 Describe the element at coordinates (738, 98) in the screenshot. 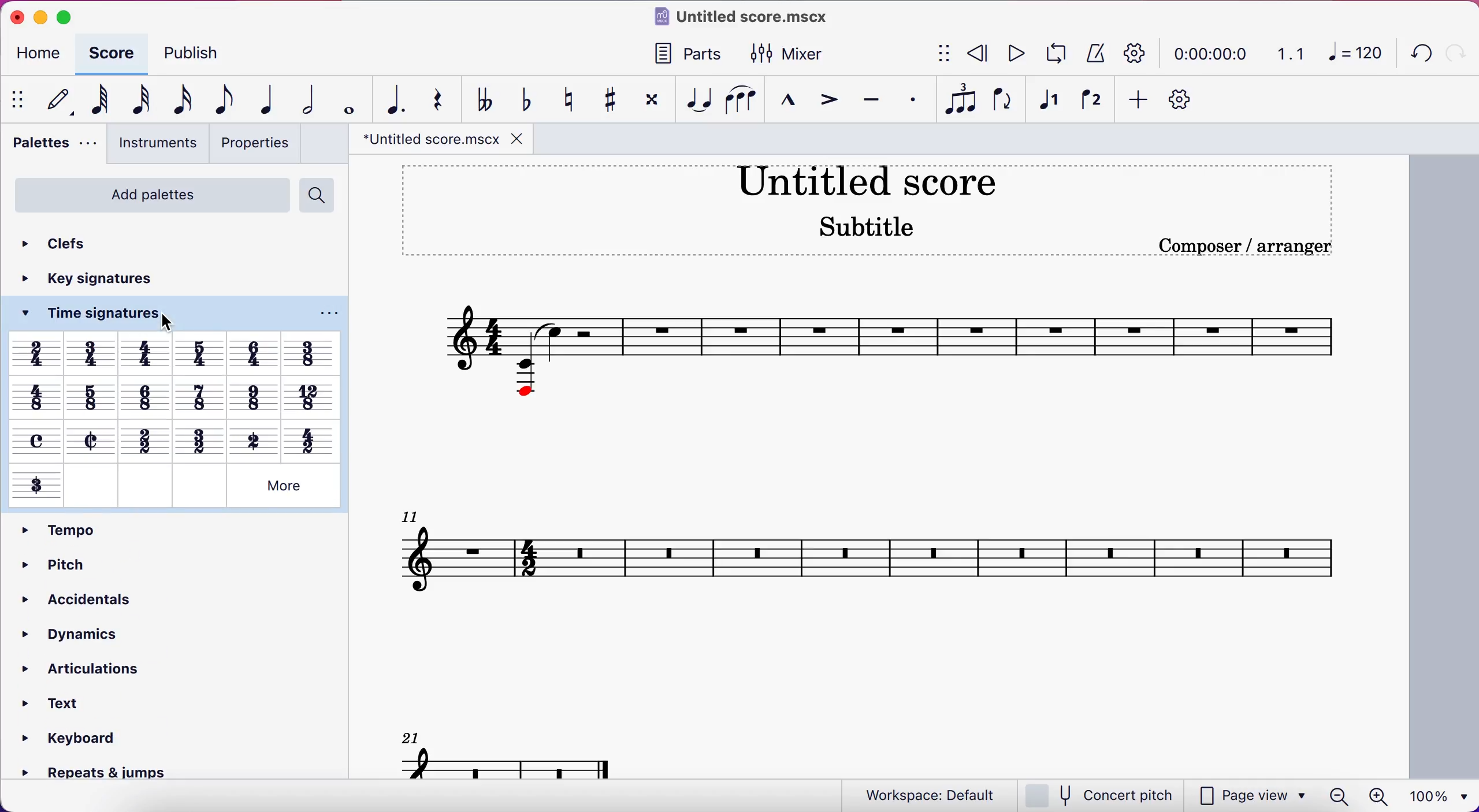

I see `slur` at that location.